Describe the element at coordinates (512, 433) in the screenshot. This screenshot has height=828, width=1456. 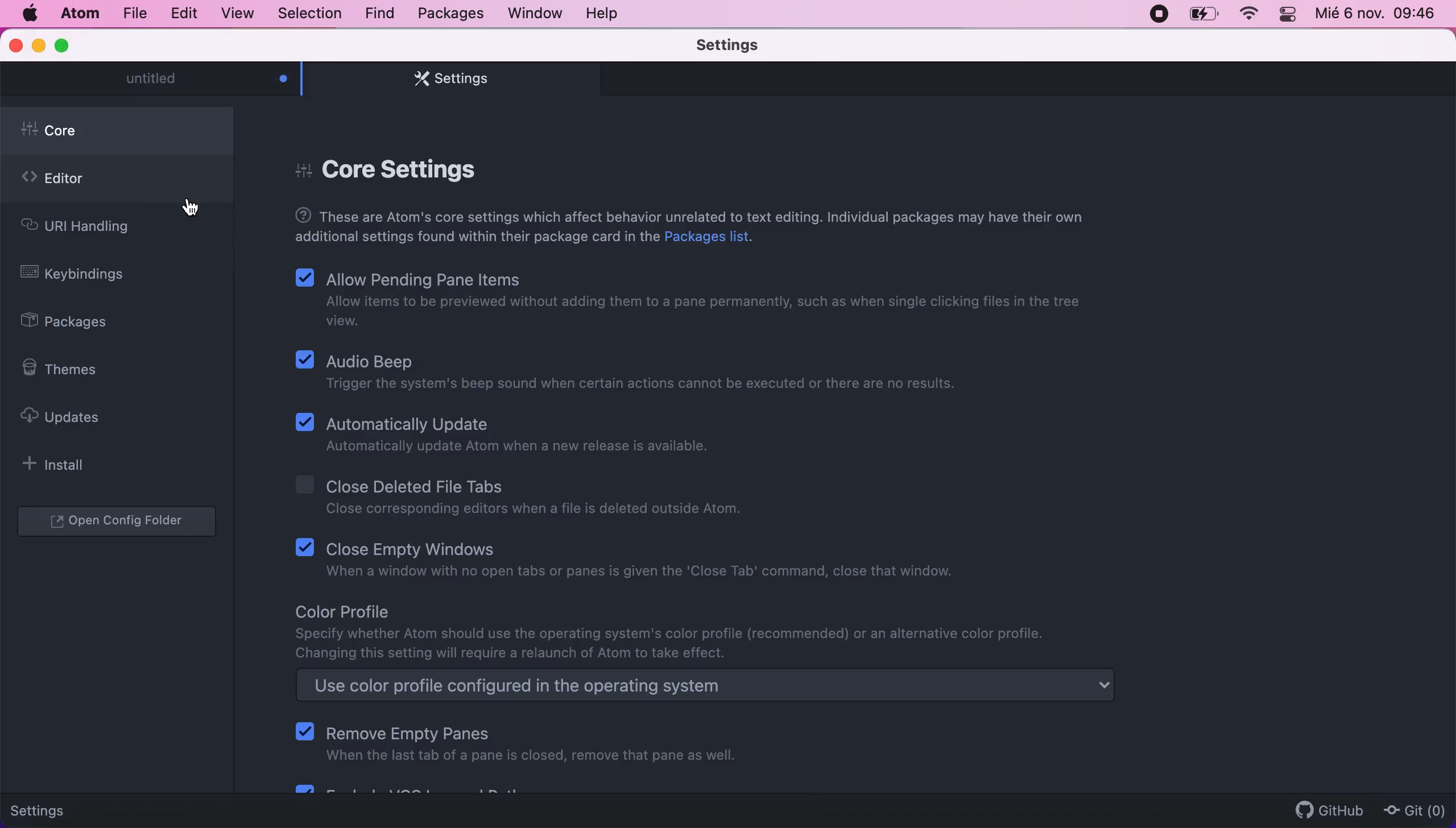
I see `Automatically Update | Automatically update Atom when a new release is available.` at that location.